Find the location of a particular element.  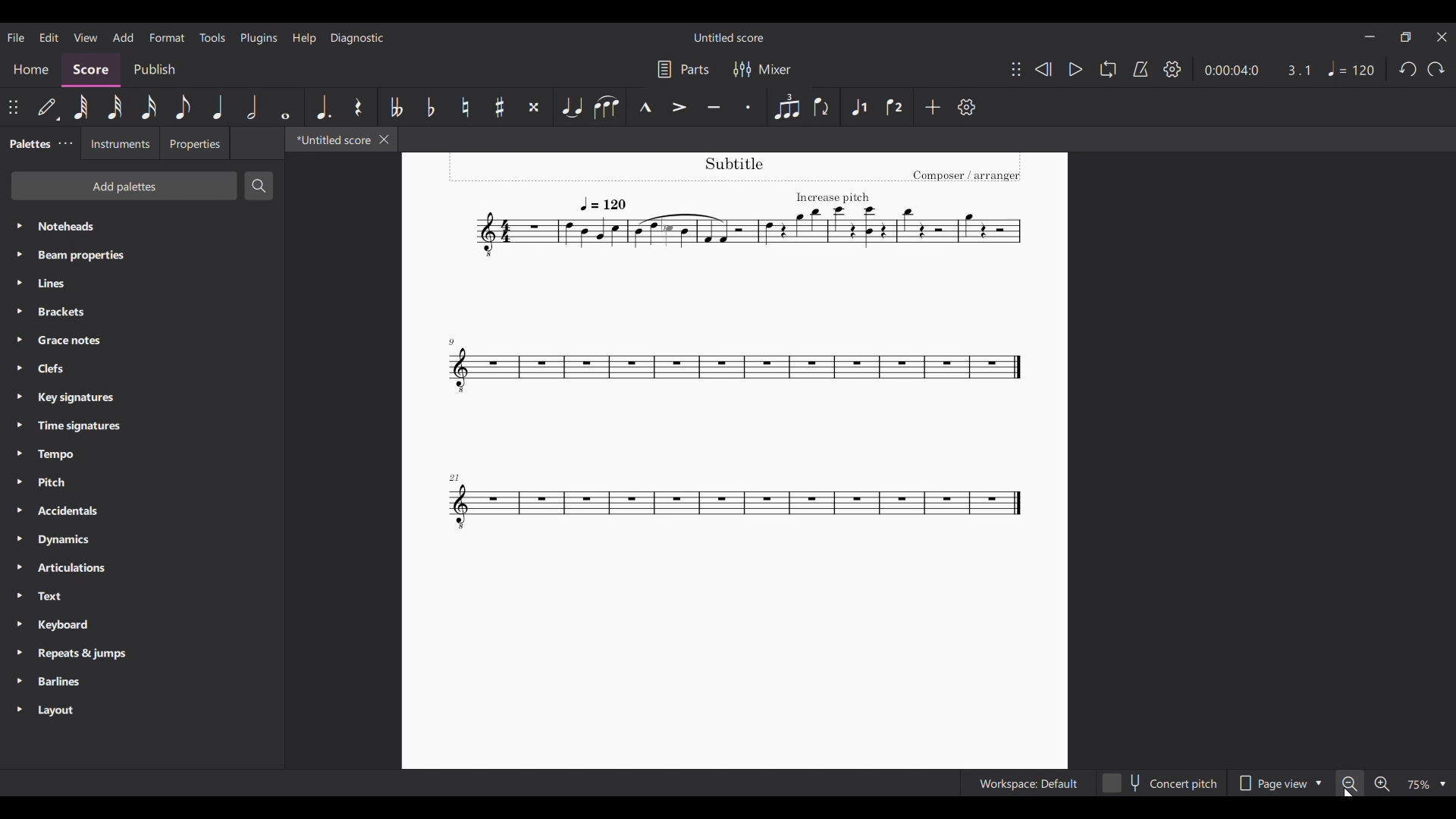

Lines is located at coordinates (142, 283).